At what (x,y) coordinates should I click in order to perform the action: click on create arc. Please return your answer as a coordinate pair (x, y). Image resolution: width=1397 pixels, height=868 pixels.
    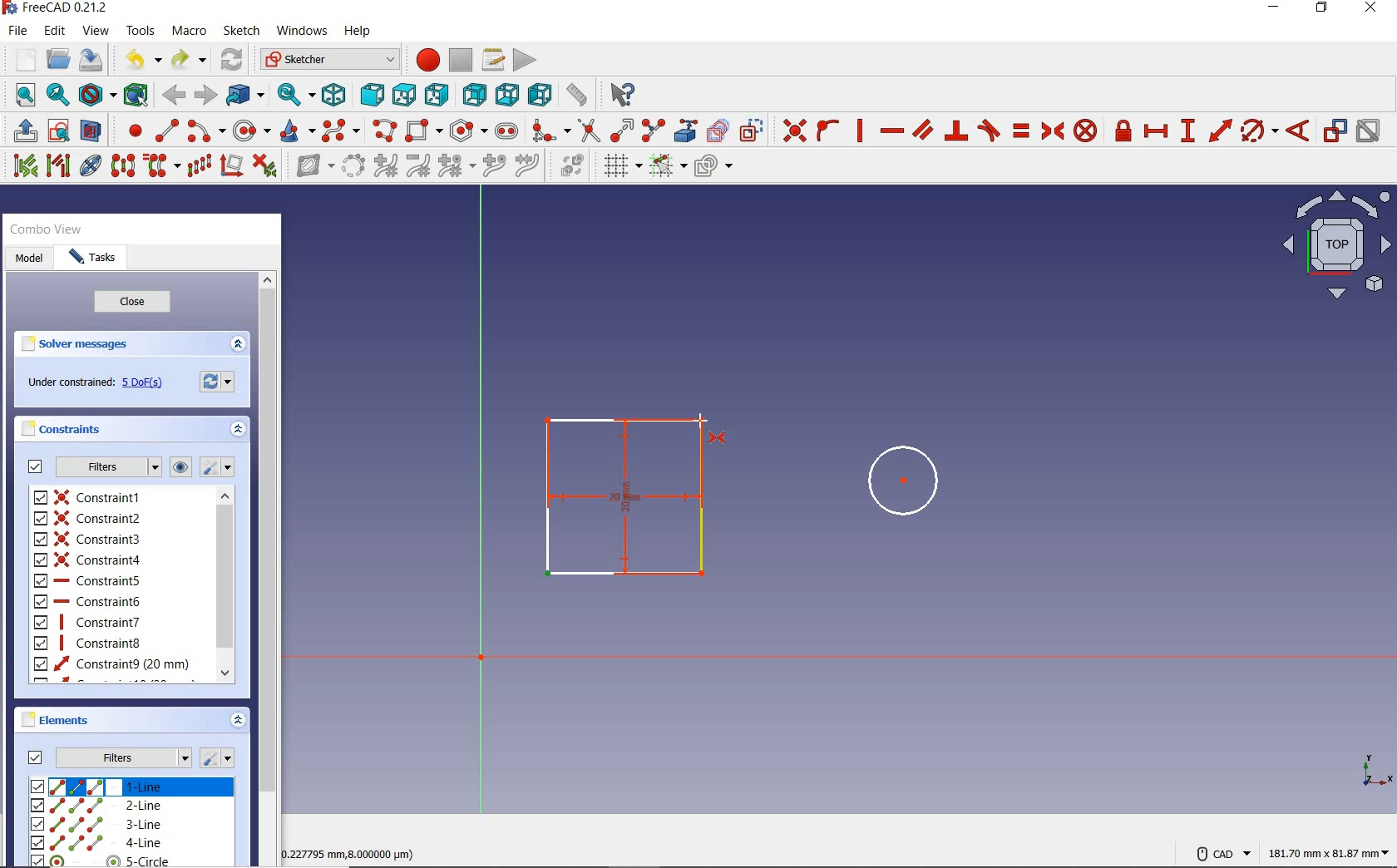
    Looking at the image, I should click on (205, 131).